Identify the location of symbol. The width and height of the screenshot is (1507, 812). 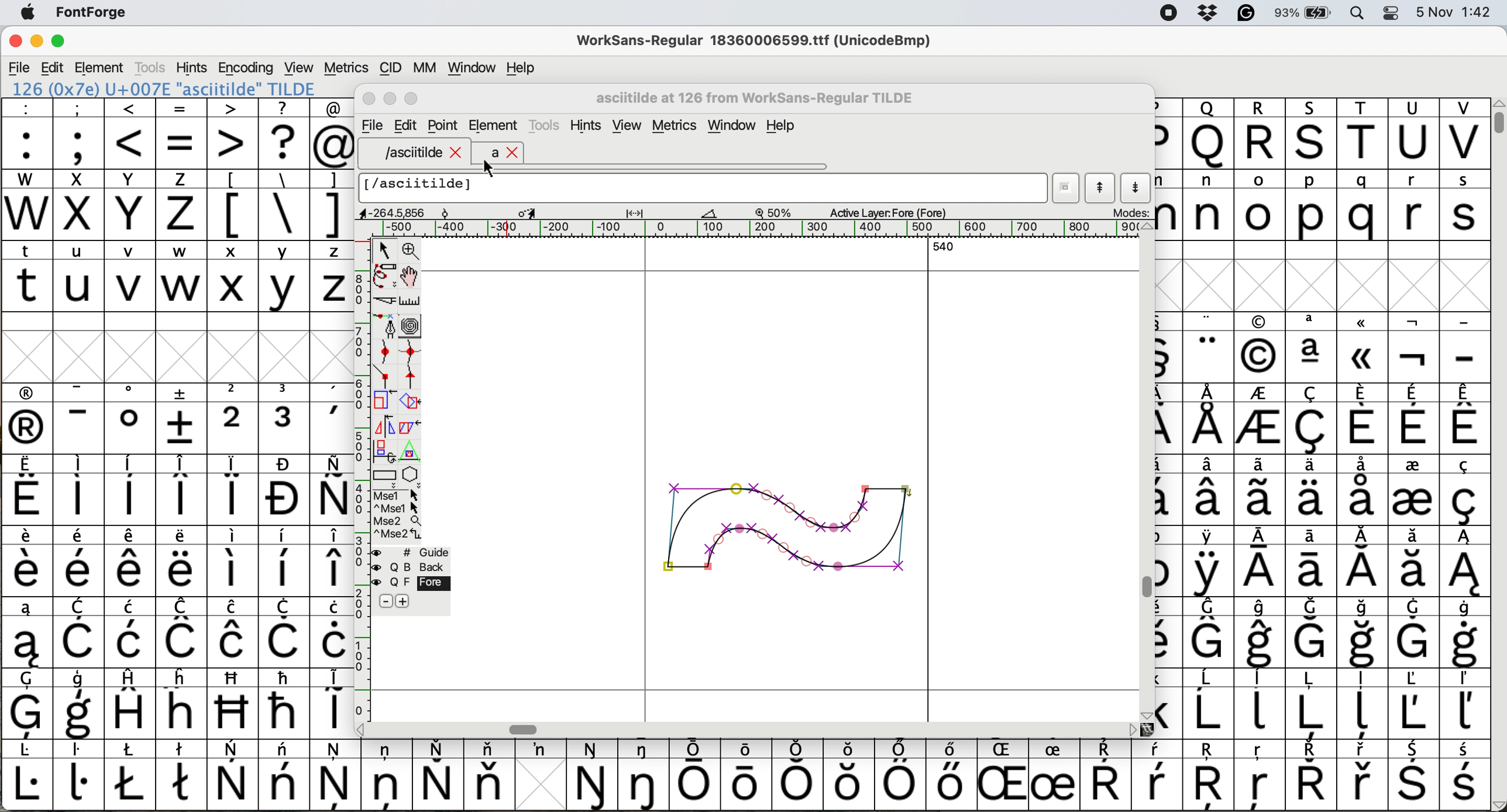
(696, 775).